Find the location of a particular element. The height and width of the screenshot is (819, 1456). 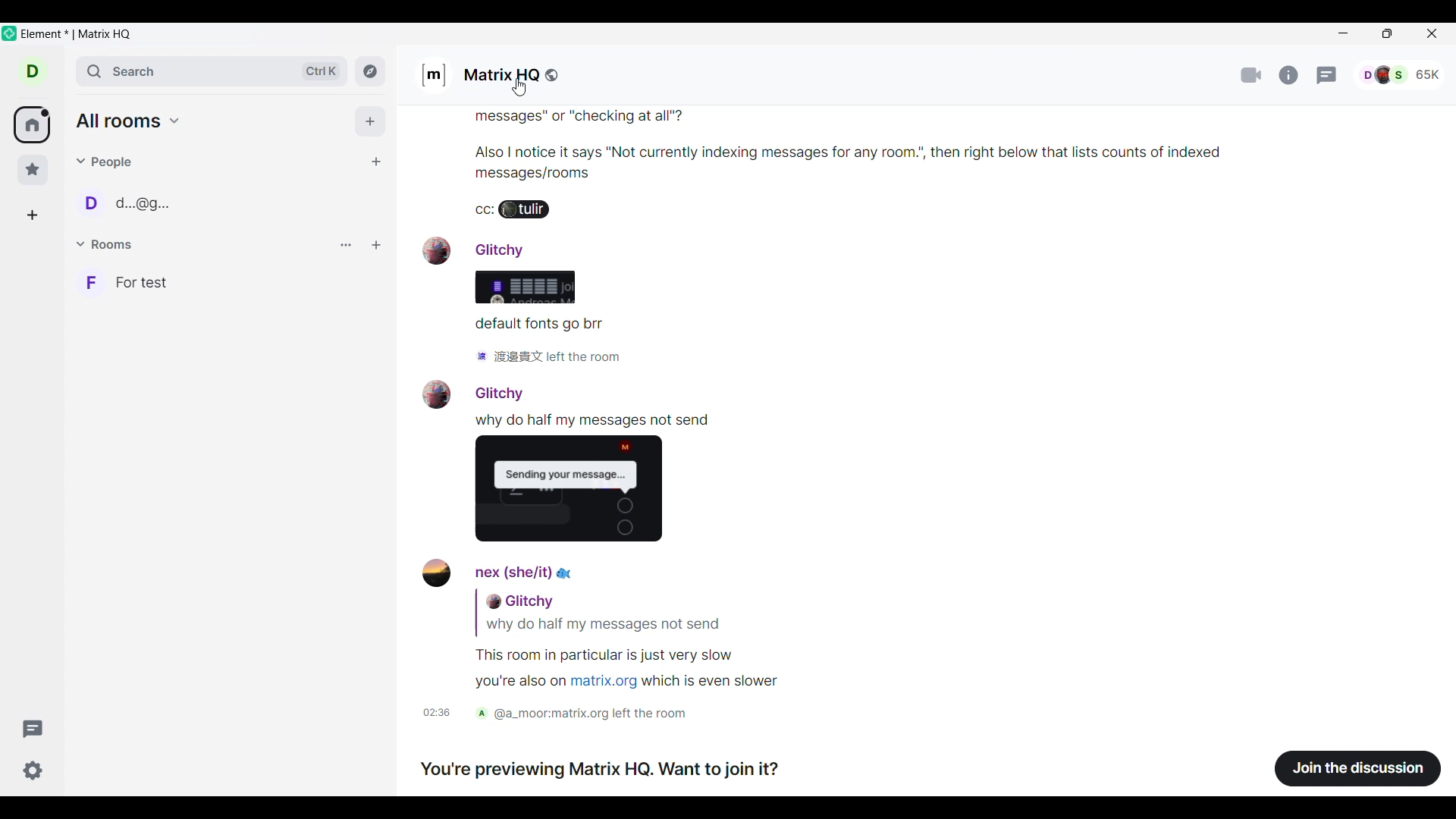

Home is located at coordinates (31, 124).